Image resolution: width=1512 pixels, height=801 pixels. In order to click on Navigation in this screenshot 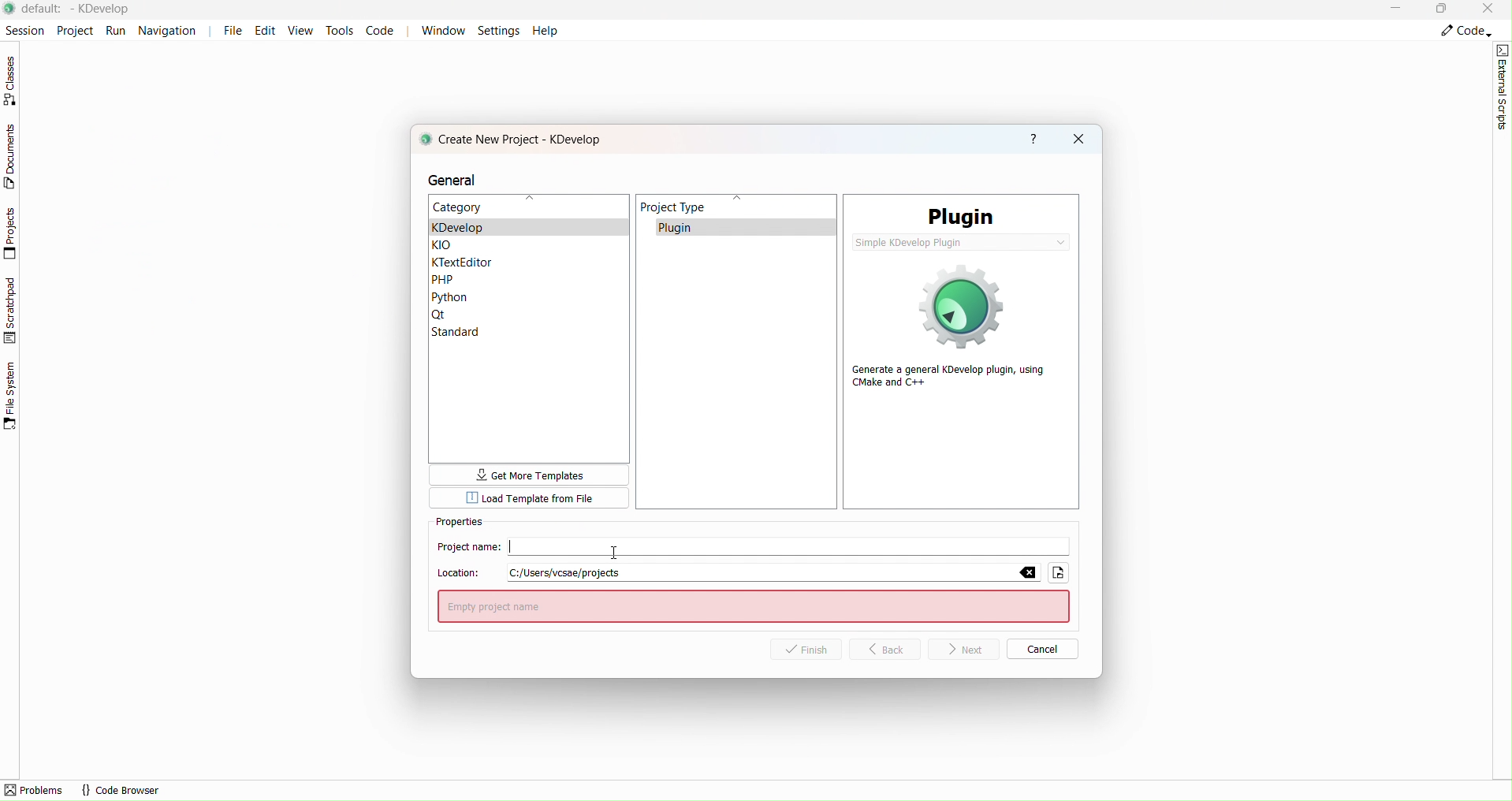, I will do `click(172, 30)`.